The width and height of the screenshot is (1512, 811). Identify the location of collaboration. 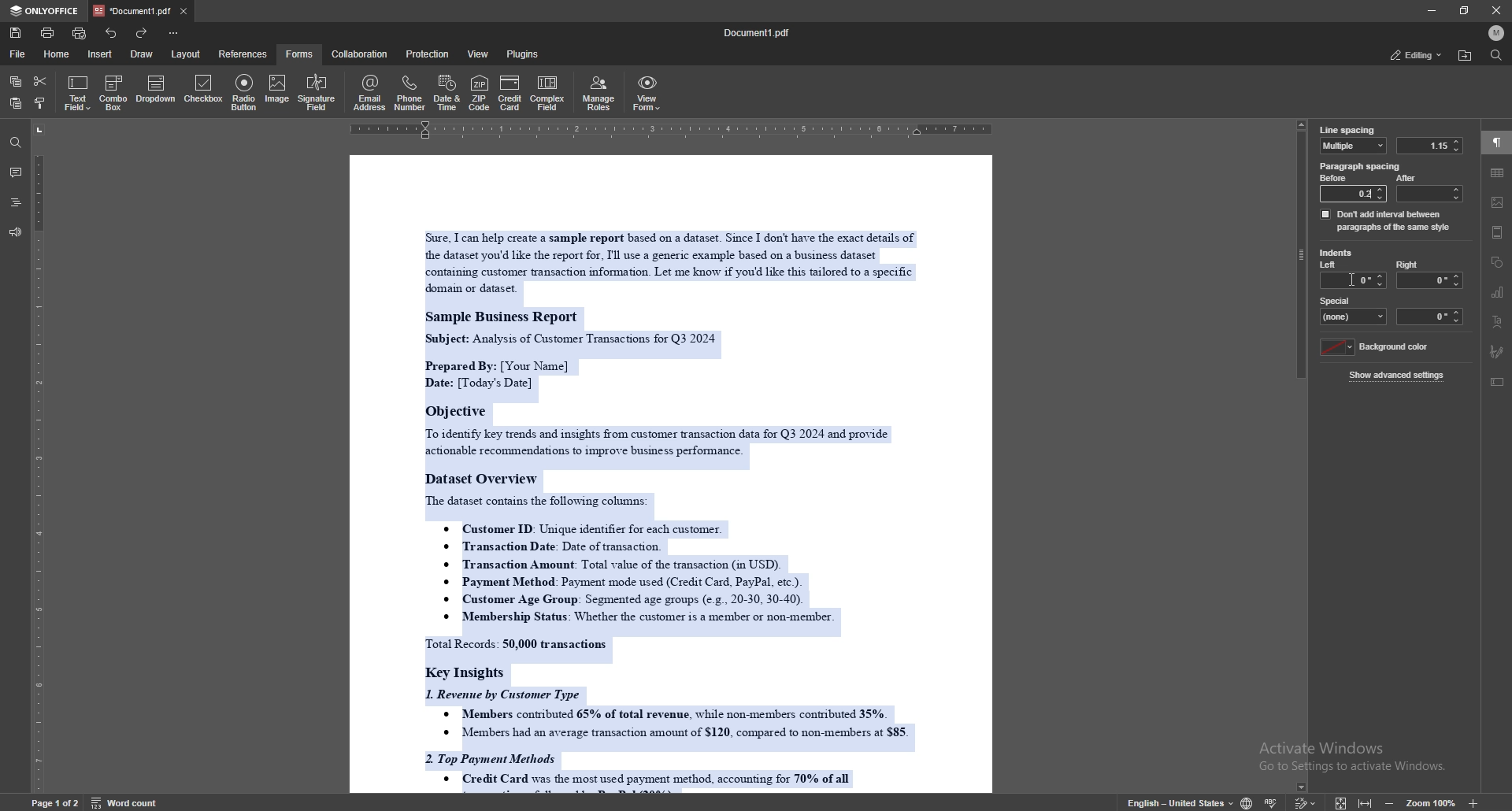
(361, 54).